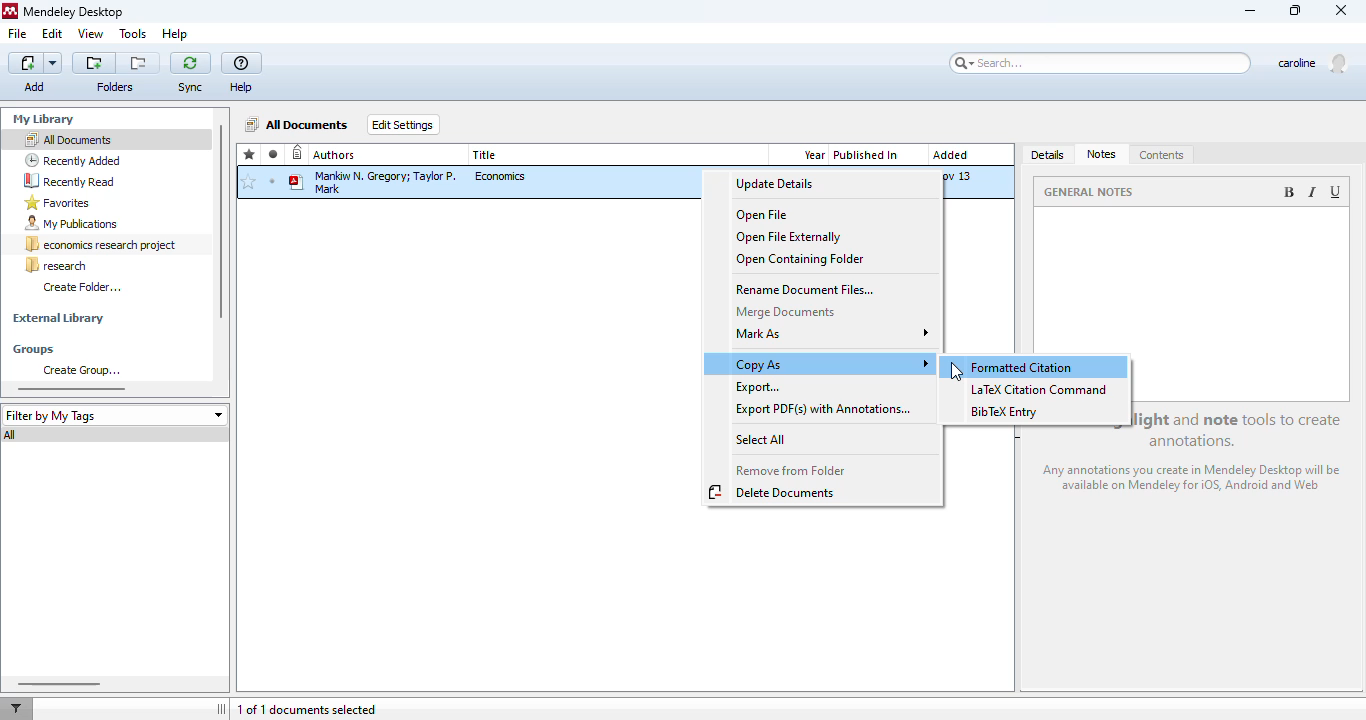 The width and height of the screenshot is (1366, 720). I want to click on Help, so click(245, 87).